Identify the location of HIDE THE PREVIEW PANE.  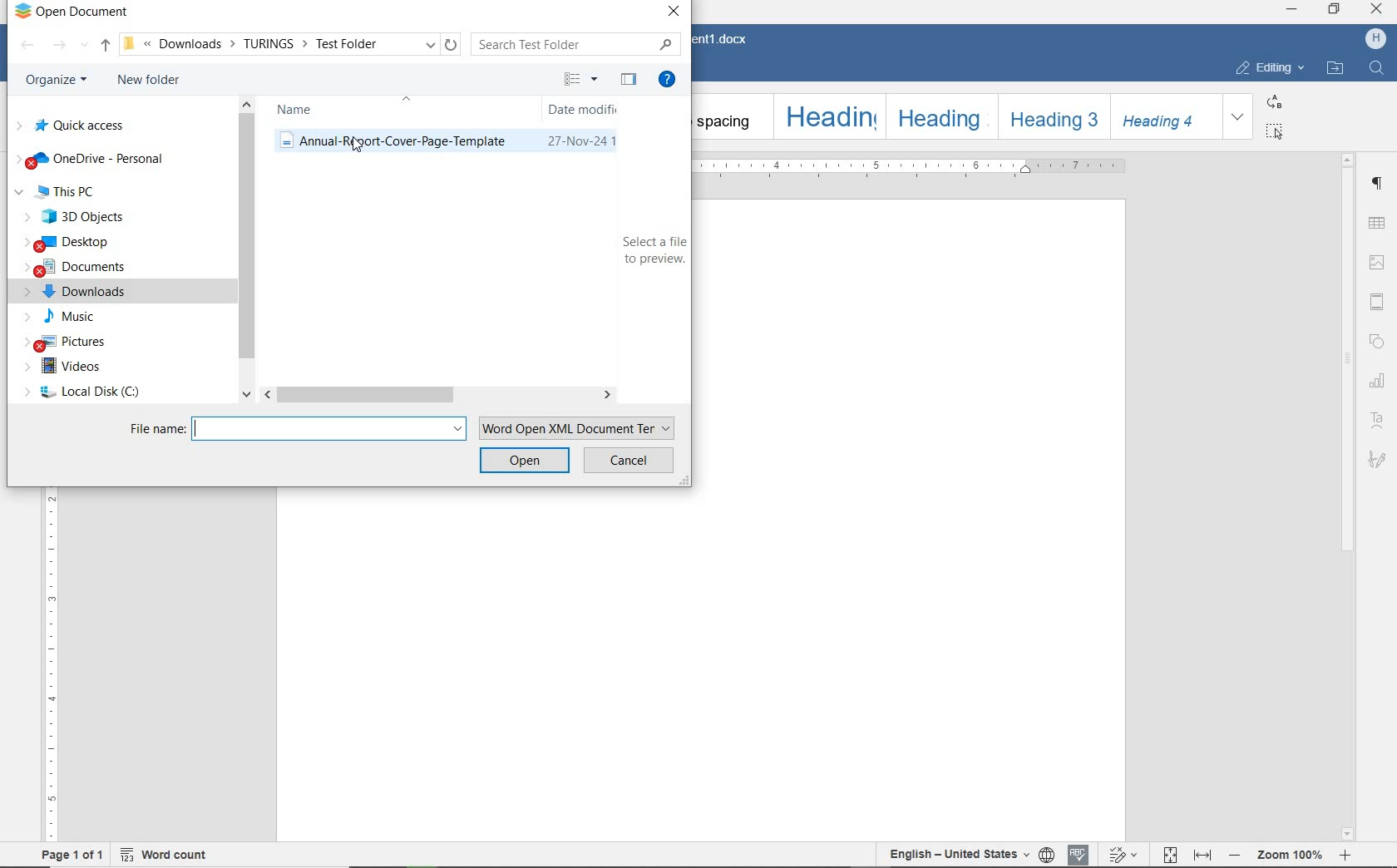
(627, 79).